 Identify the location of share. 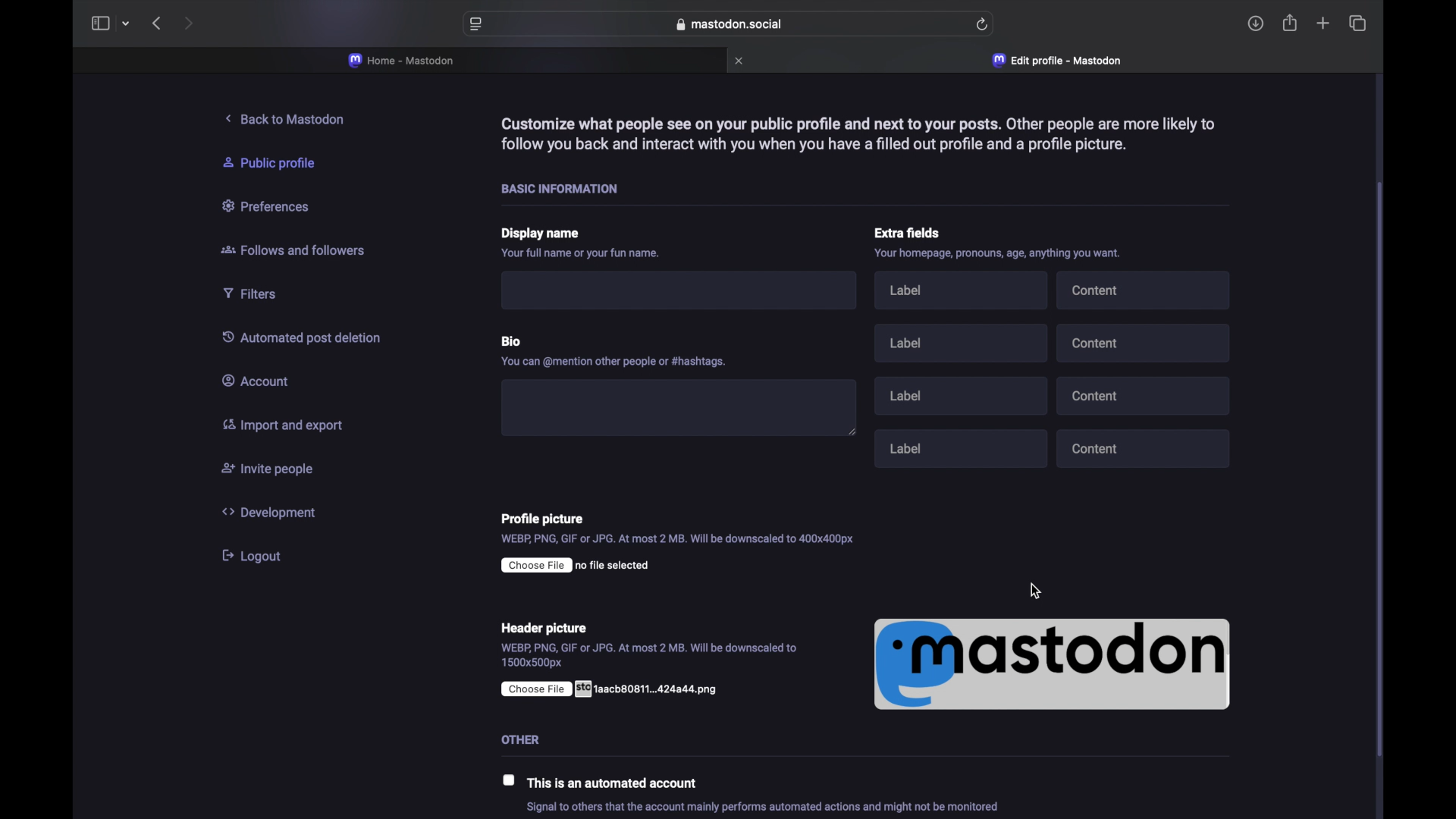
(1291, 23).